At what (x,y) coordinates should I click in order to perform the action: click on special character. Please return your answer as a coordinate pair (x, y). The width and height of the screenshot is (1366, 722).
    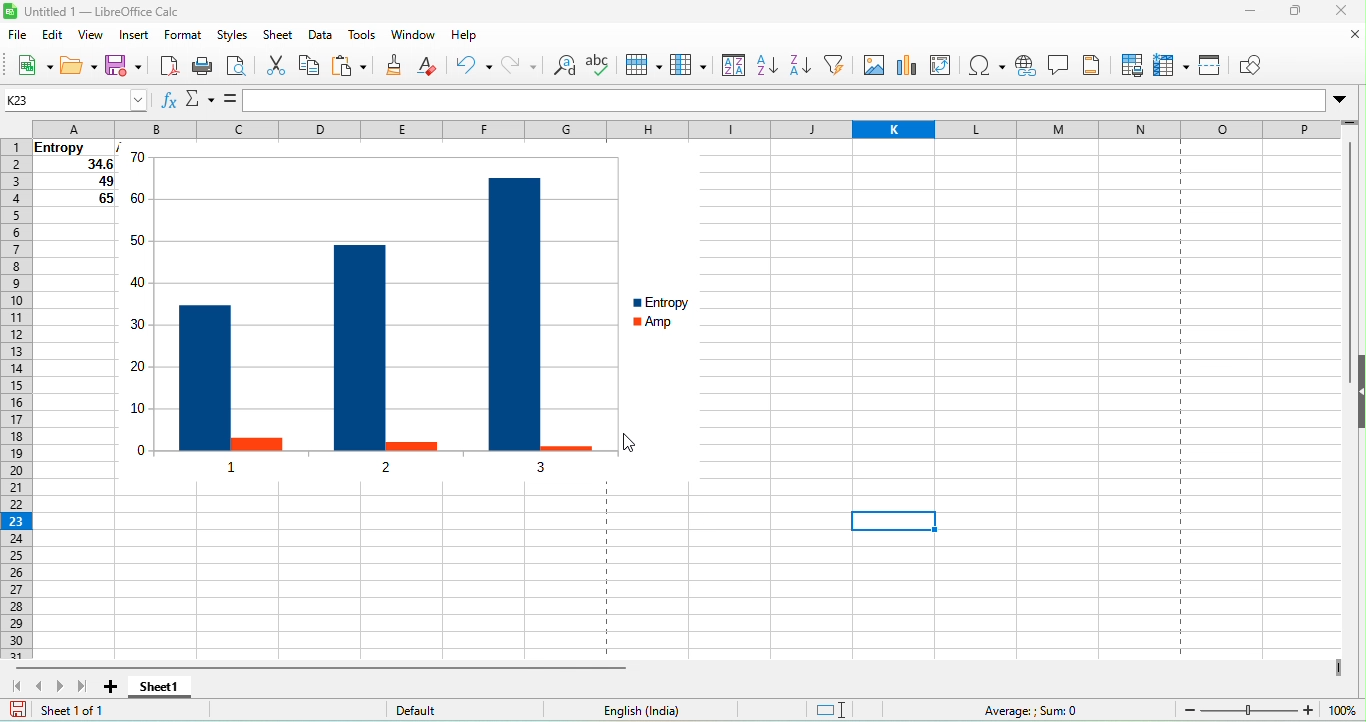
    Looking at the image, I should click on (988, 65).